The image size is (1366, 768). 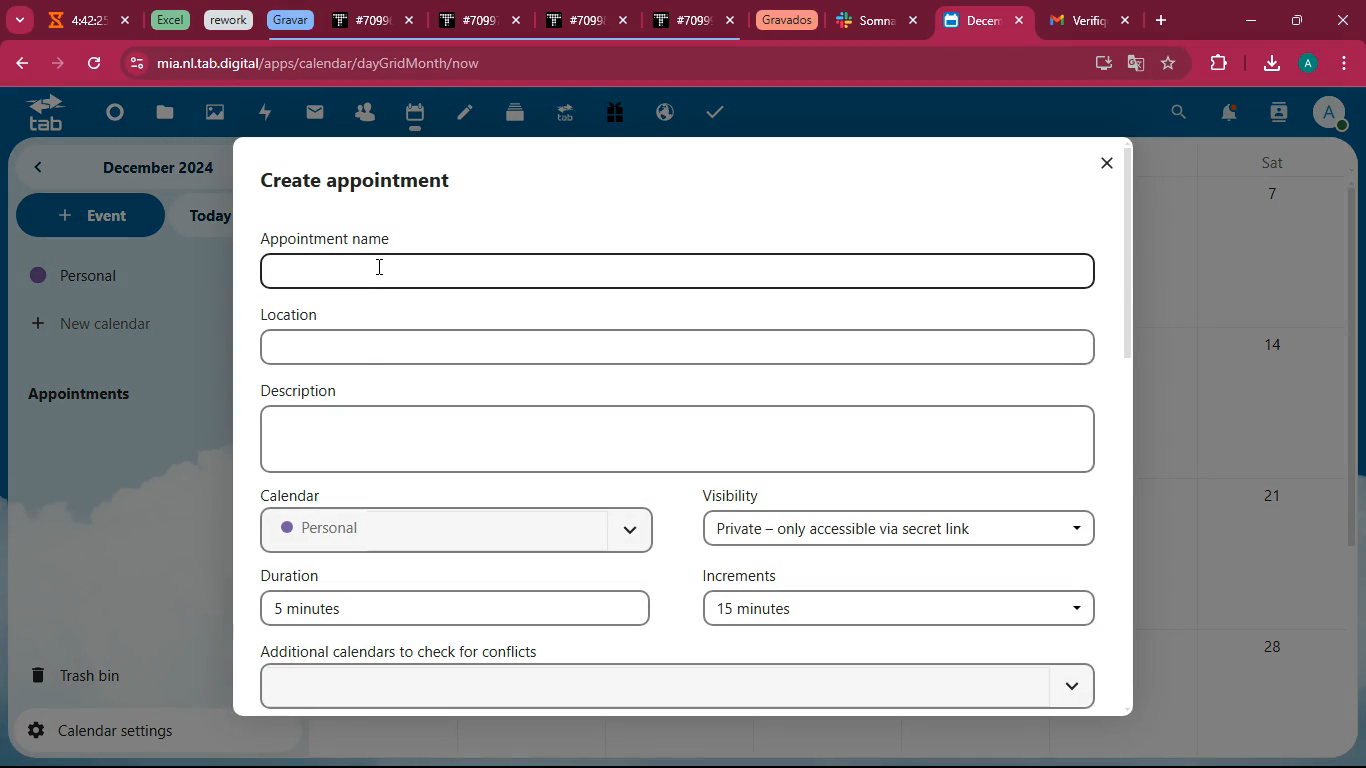 What do you see at coordinates (86, 393) in the screenshot?
I see `appointments` at bounding box center [86, 393].